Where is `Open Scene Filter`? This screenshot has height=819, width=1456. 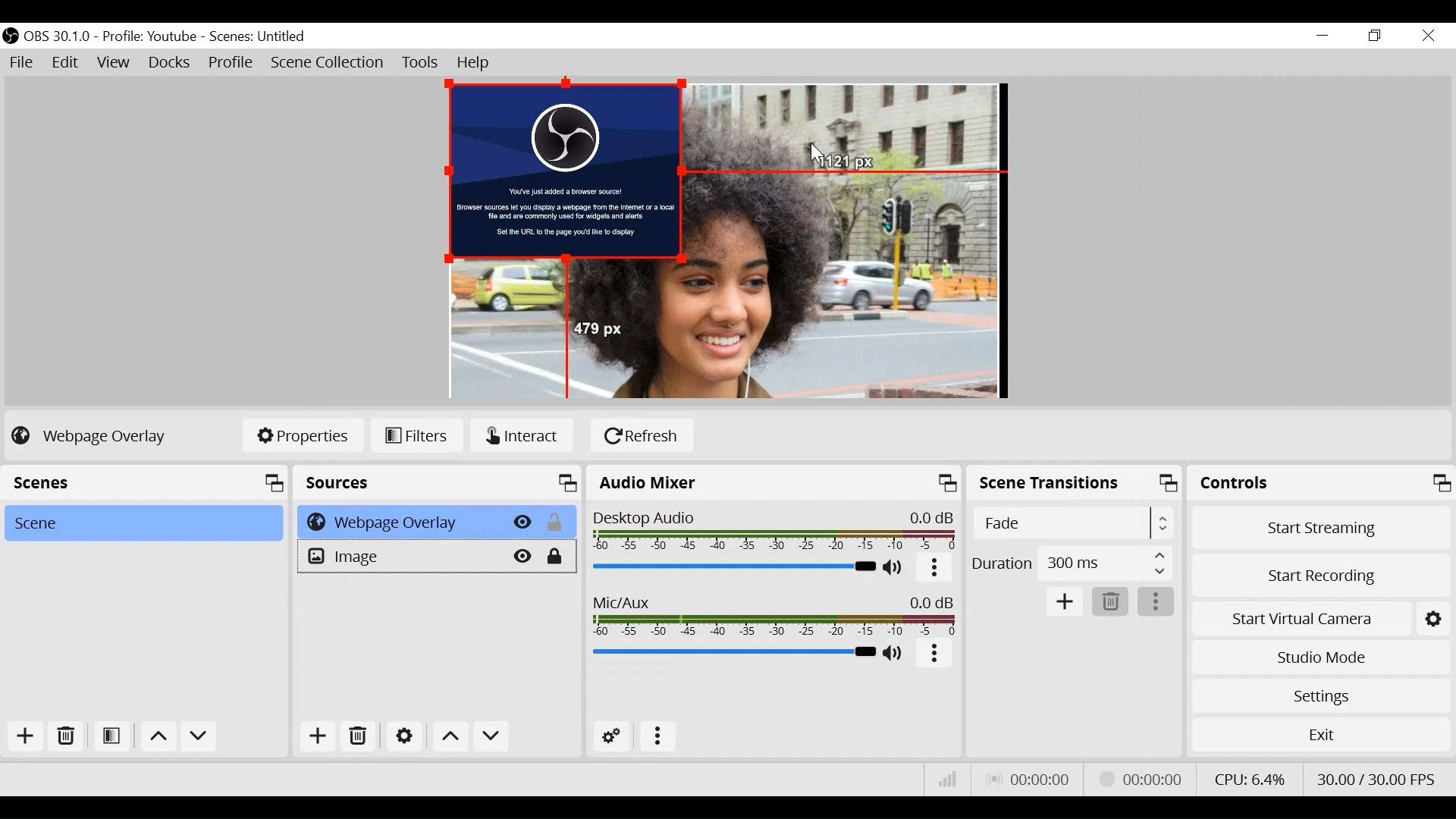
Open Scene Filter is located at coordinates (113, 738).